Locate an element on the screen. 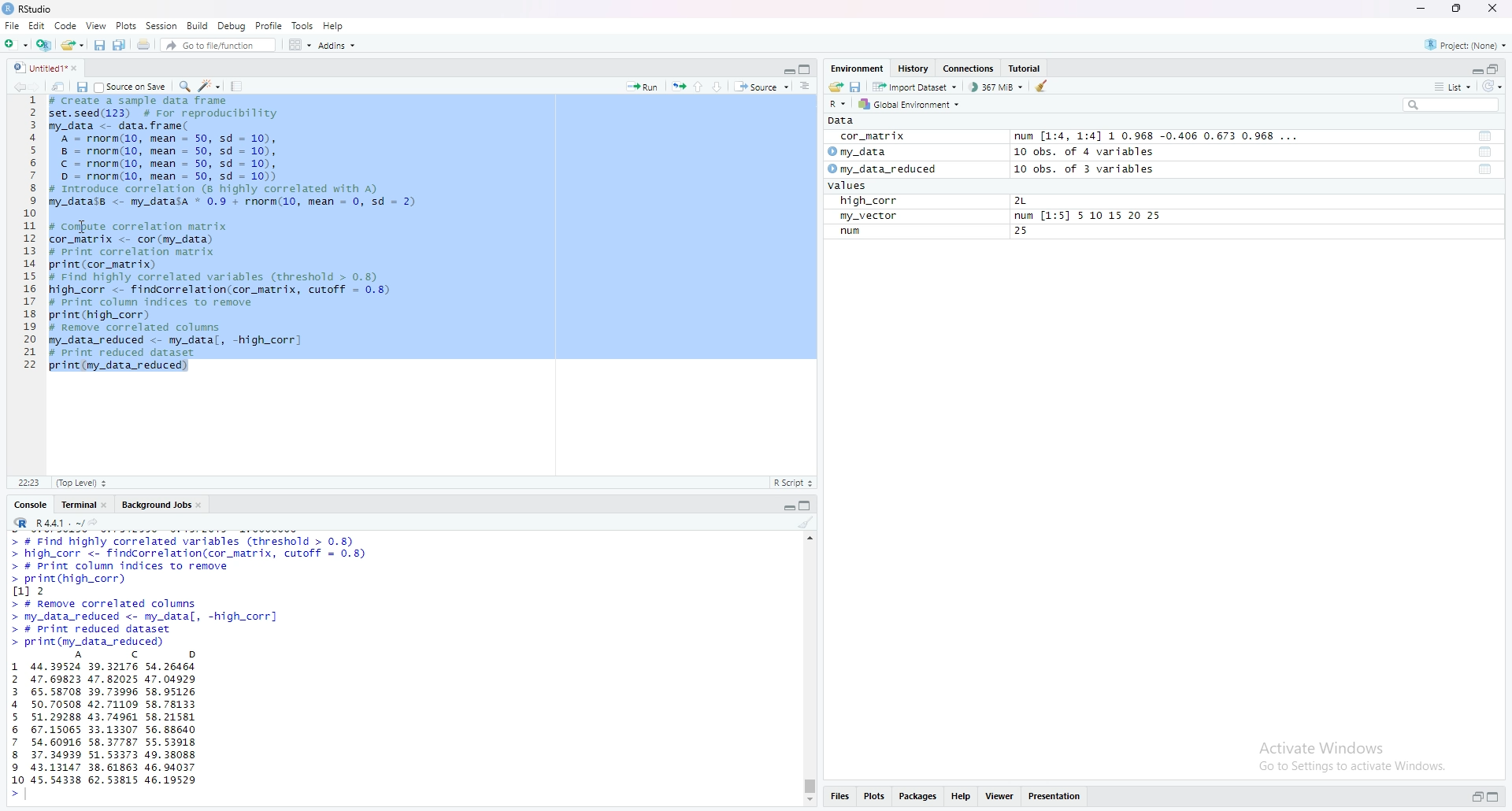 The image size is (1512, 811). open in separate window is located at coordinates (1476, 797).